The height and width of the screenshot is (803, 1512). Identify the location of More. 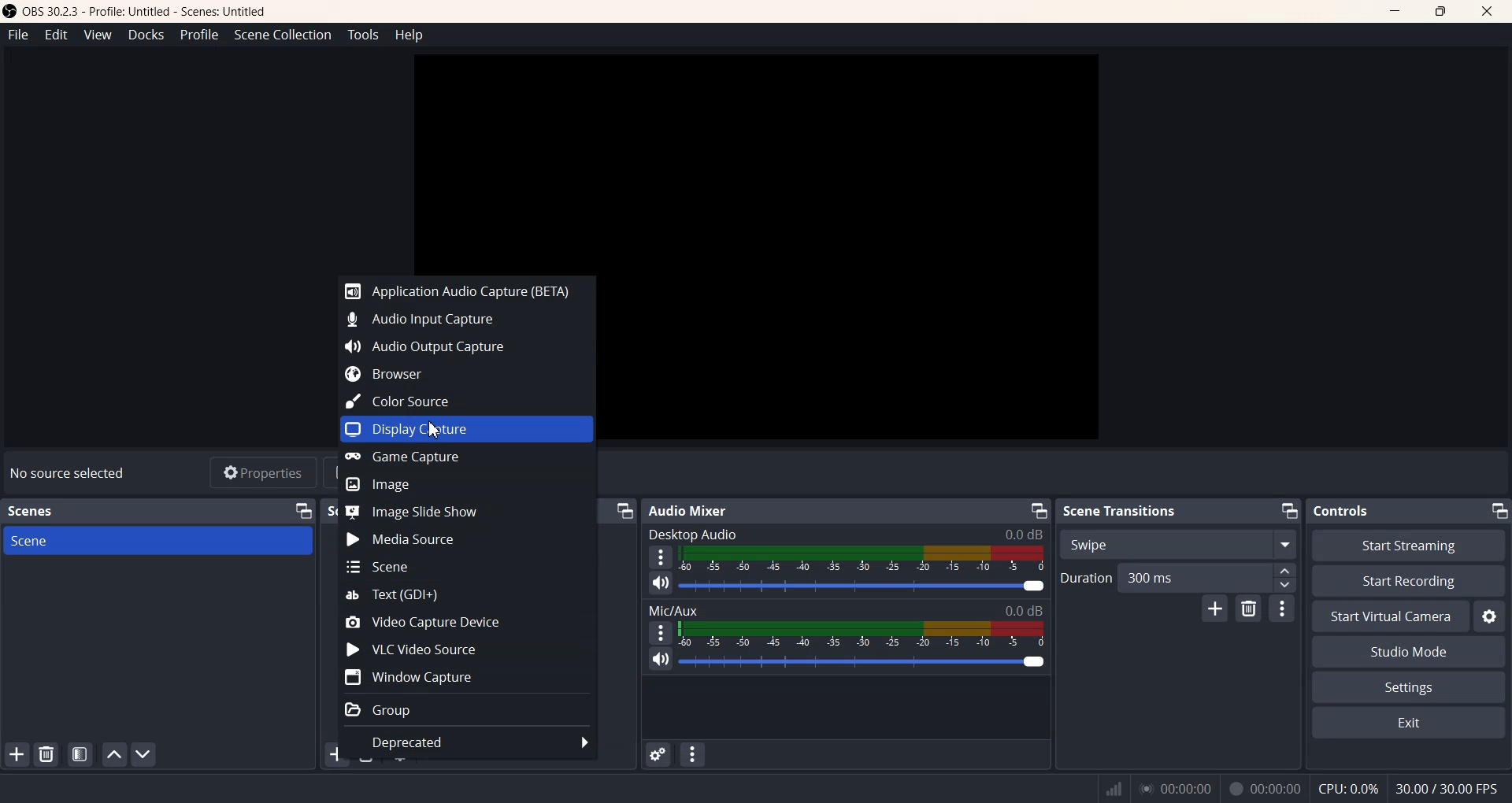
(661, 556).